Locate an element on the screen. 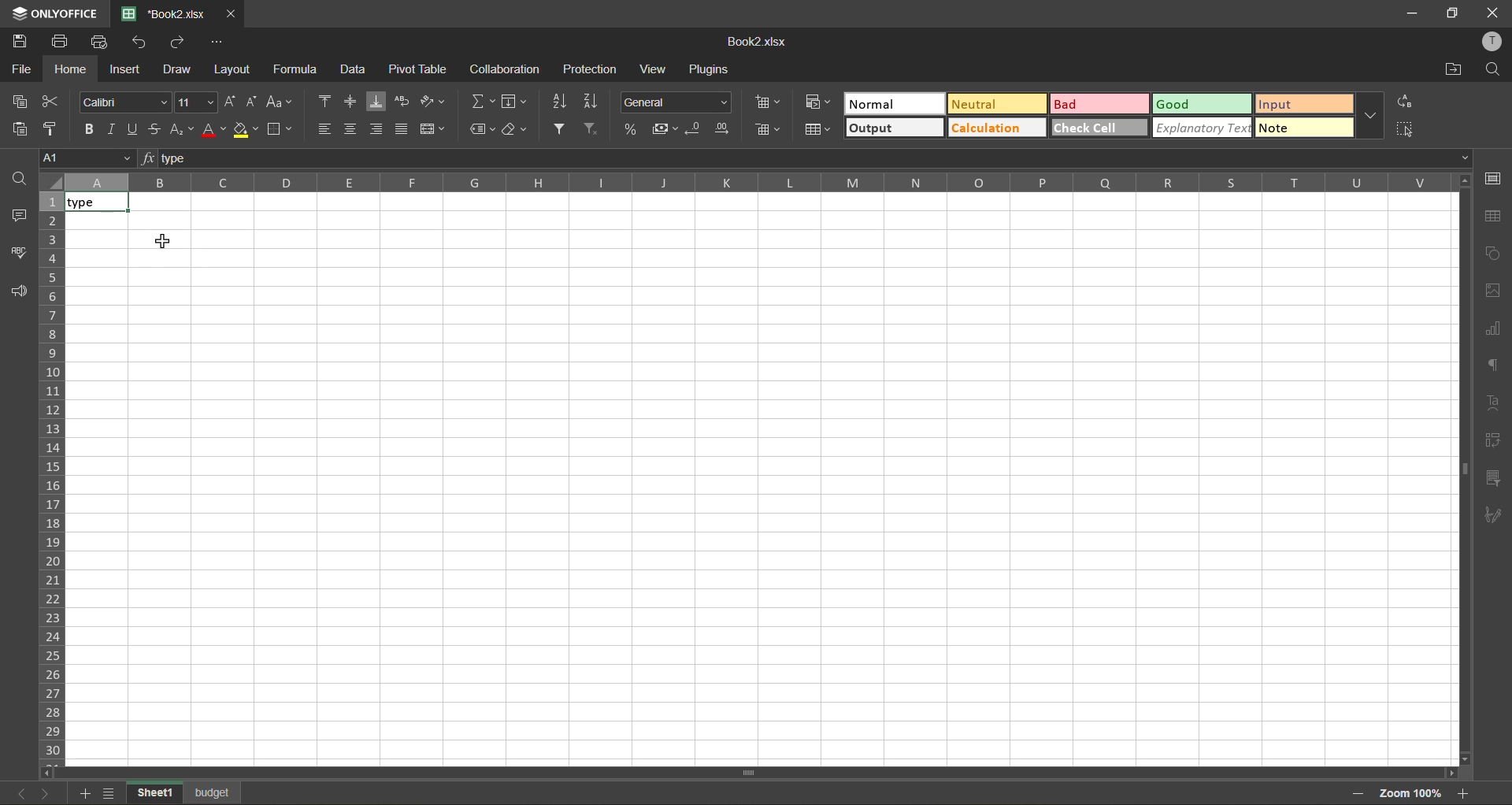 The height and width of the screenshot is (805, 1512). change case is located at coordinates (280, 101).